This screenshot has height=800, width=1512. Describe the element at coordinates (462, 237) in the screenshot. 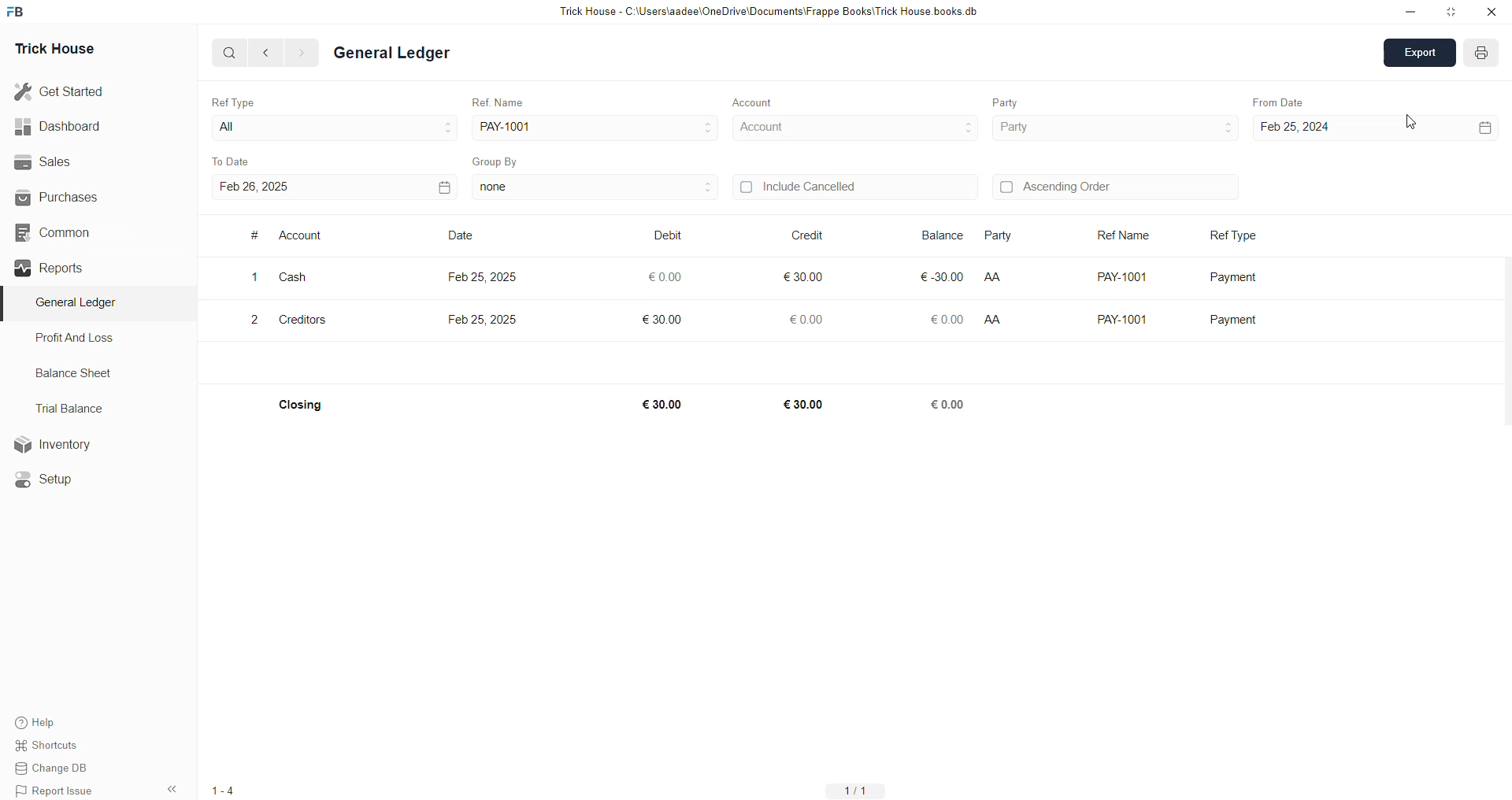

I see `Date` at that location.